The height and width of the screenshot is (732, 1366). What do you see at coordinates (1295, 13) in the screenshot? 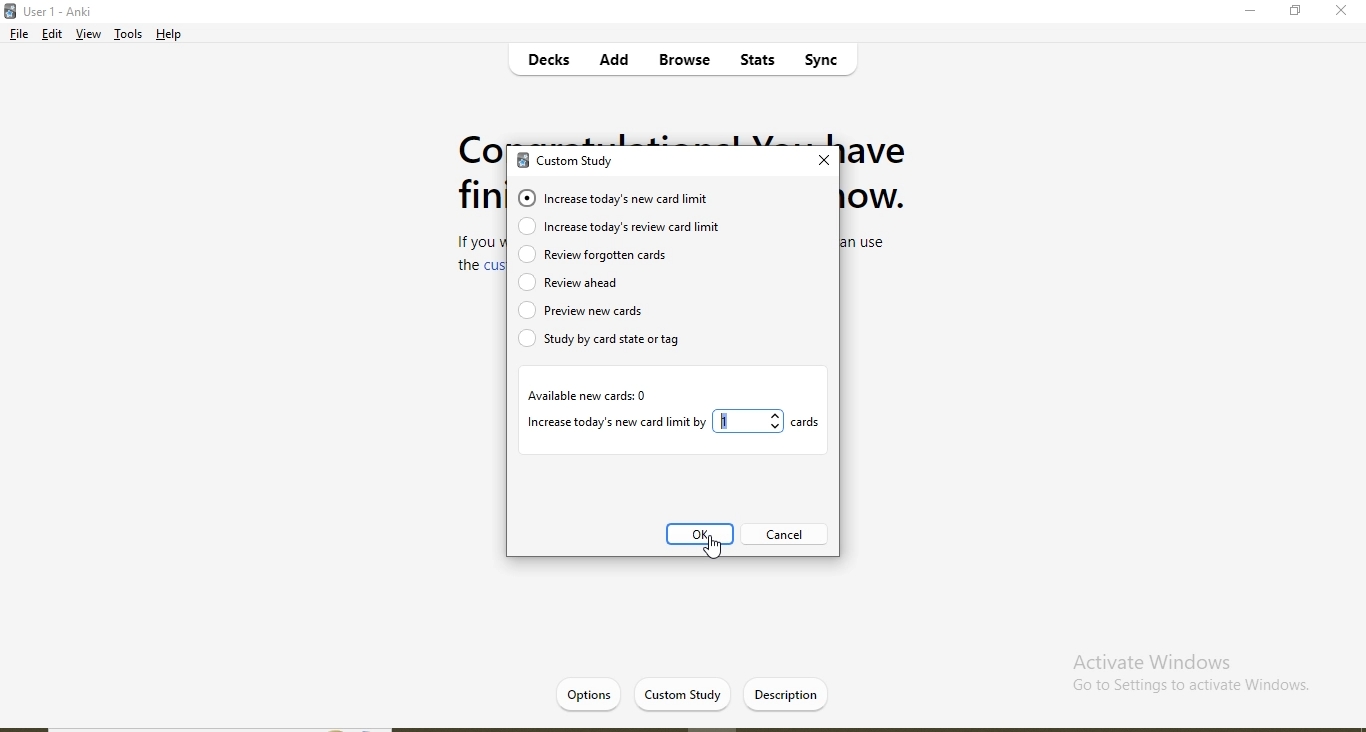
I see `restore` at bounding box center [1295, 13].